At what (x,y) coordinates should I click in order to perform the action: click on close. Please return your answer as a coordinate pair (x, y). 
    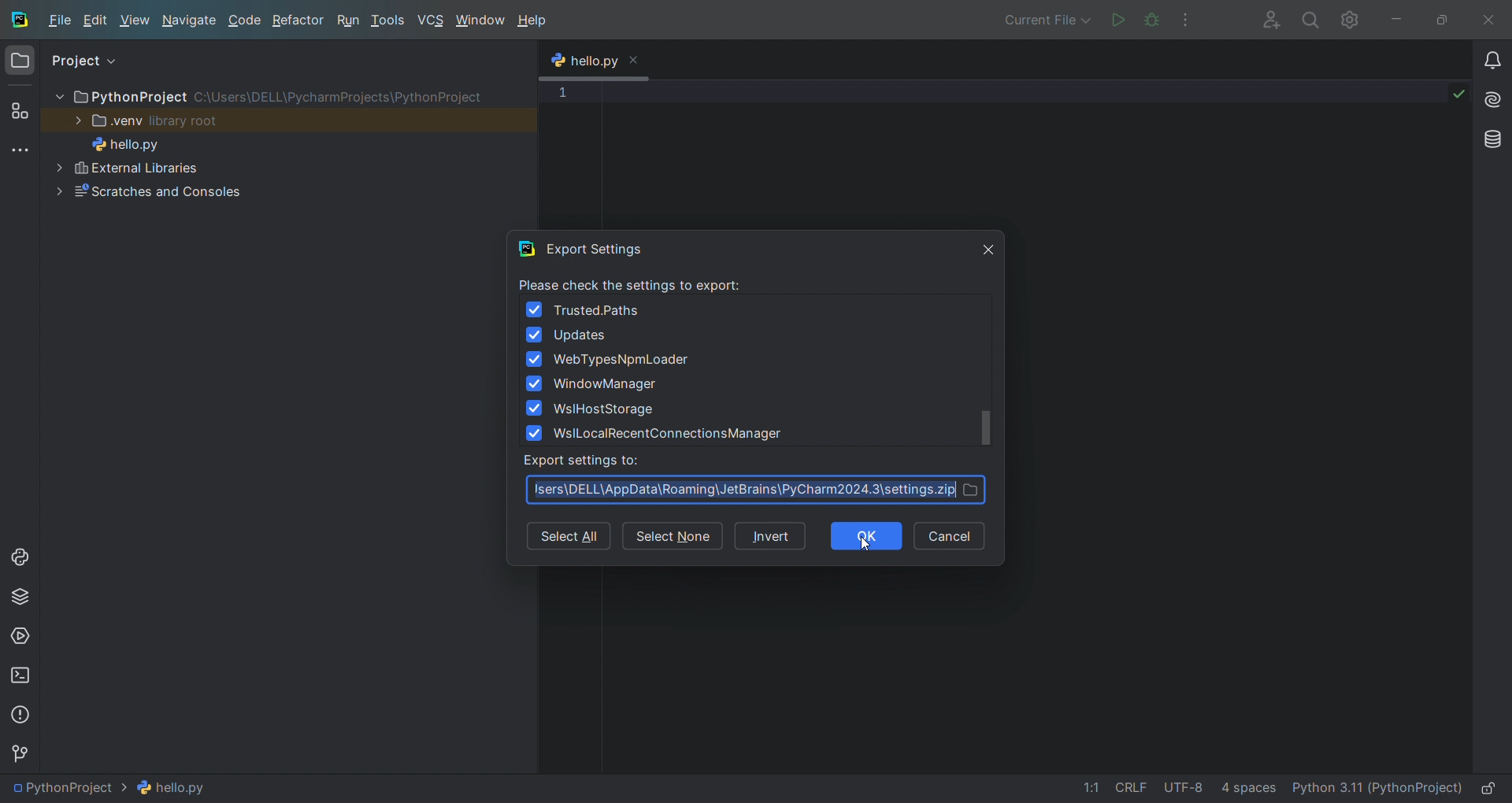
    Looking at the image, I should click on (988, 248).